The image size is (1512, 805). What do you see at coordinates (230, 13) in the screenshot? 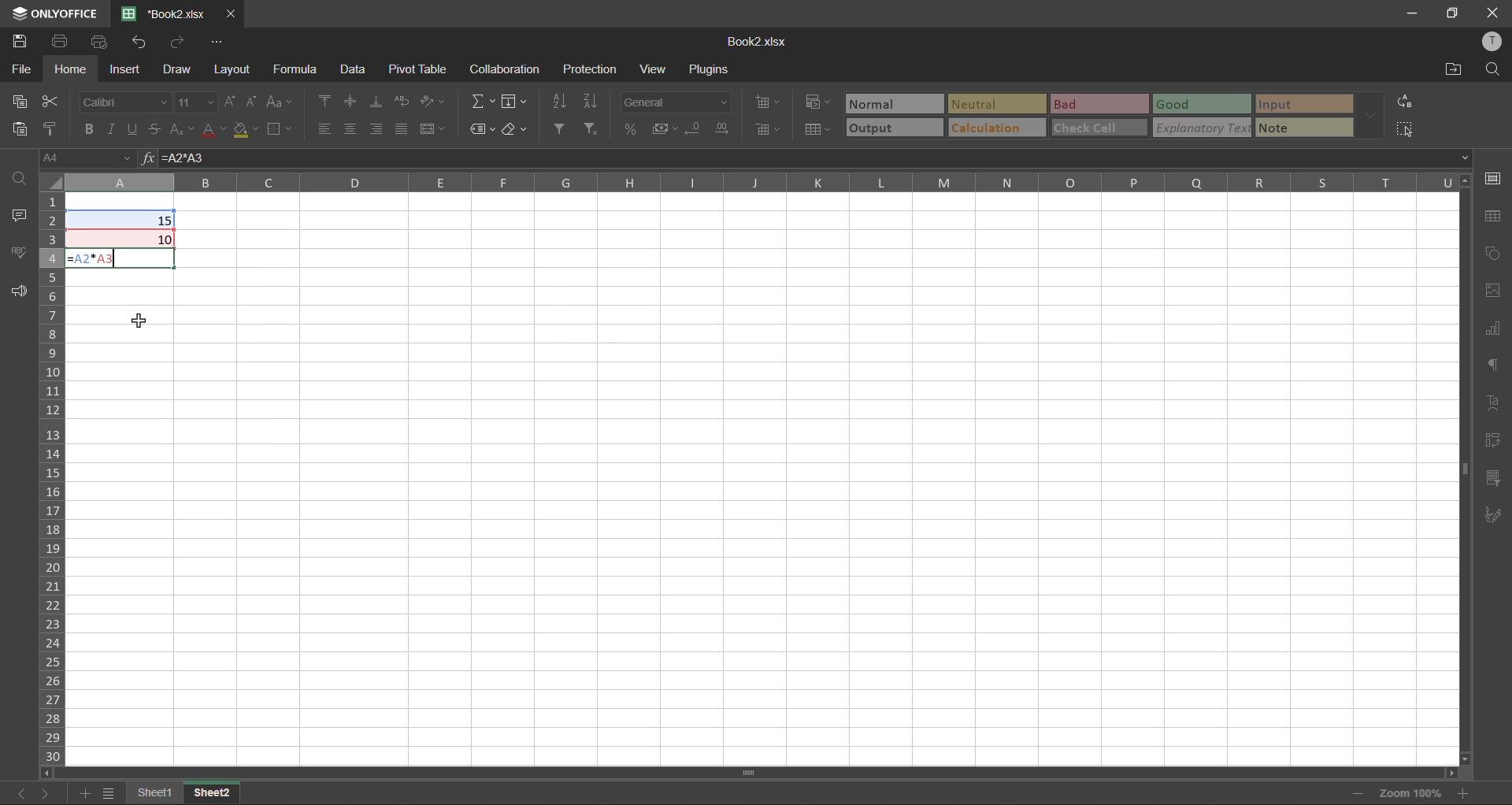
I see `close tab` at bounding box center [230, 13].